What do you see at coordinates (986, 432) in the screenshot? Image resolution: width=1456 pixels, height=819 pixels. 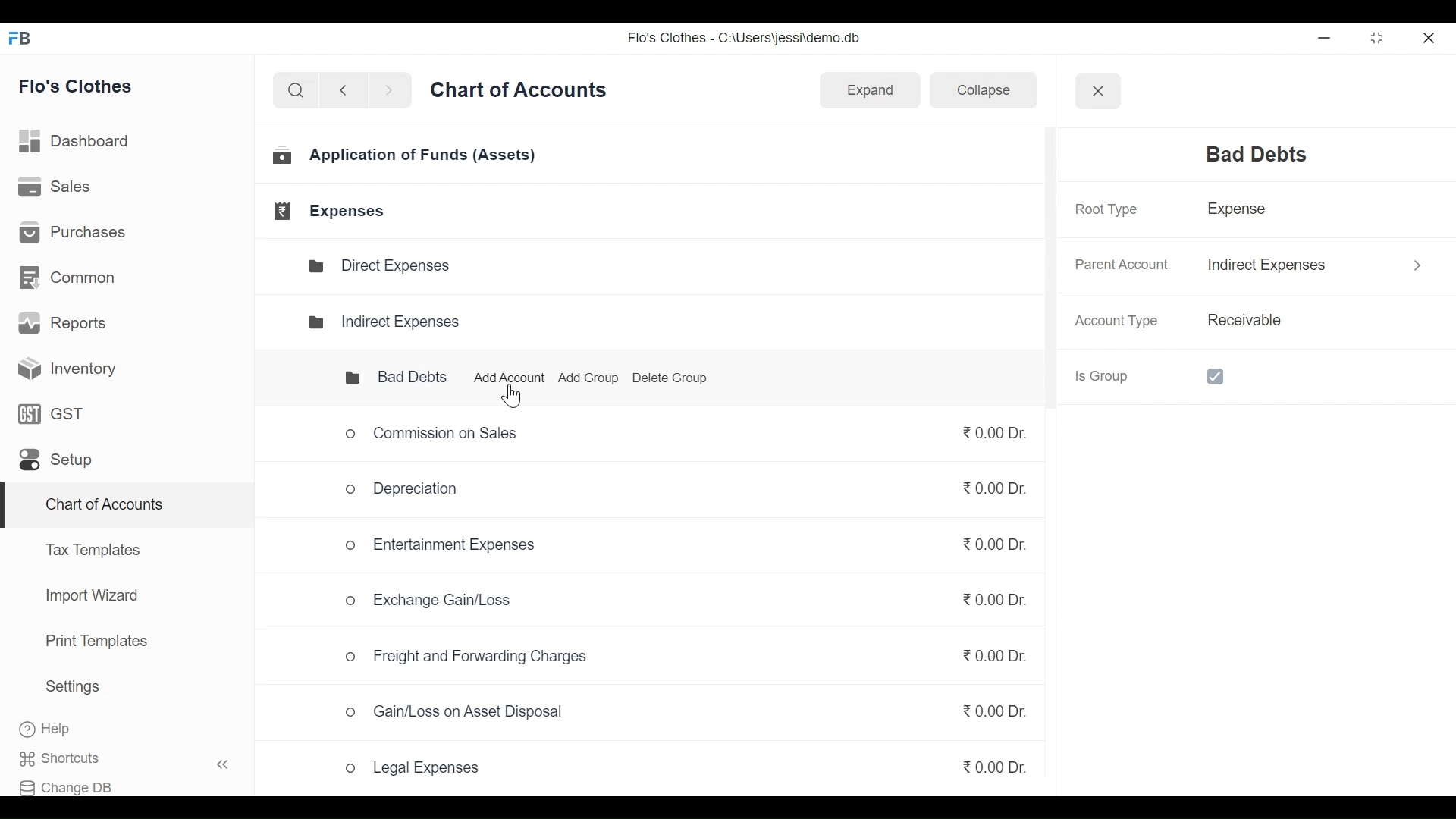 I see `₹0.00Dr.` at bounding box center [986, 432].